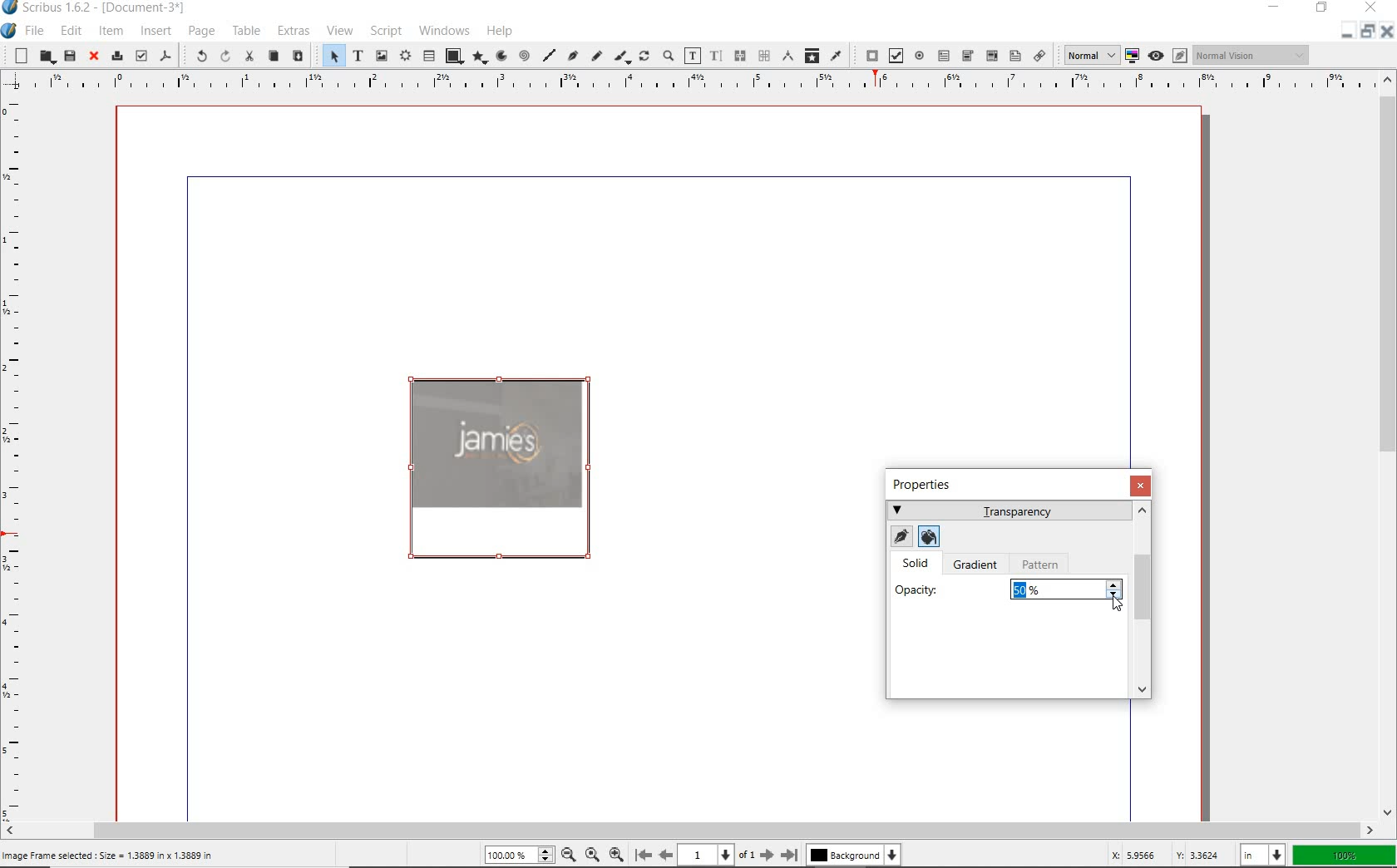 The width and height of the screenshot is (1397, 868). What do you see at coordinates (1041, 57) in the screenshot?
I see `link annotation` at bounding box center [1041, 57].